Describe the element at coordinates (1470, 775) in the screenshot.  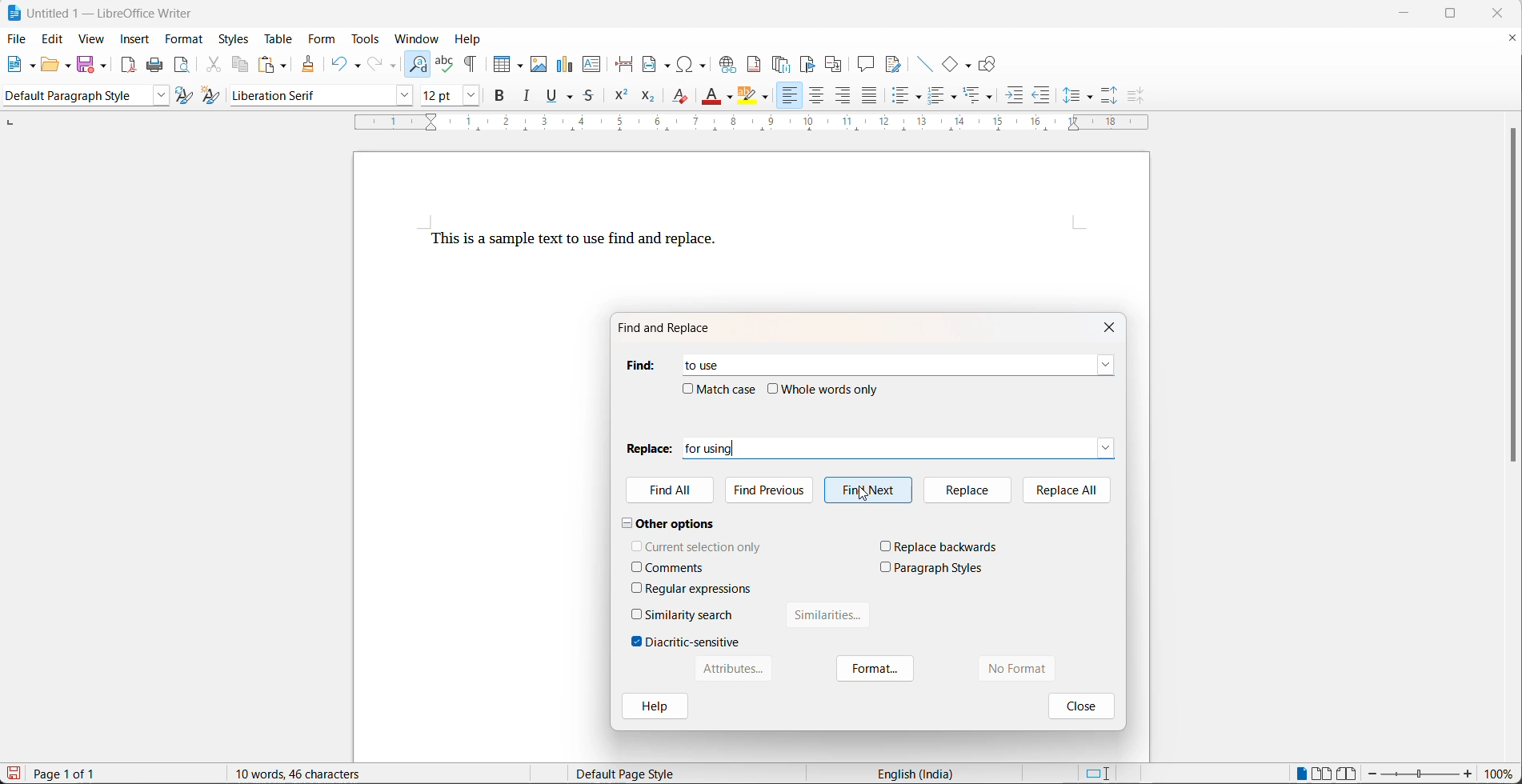
I see `increase zoom` at that location.